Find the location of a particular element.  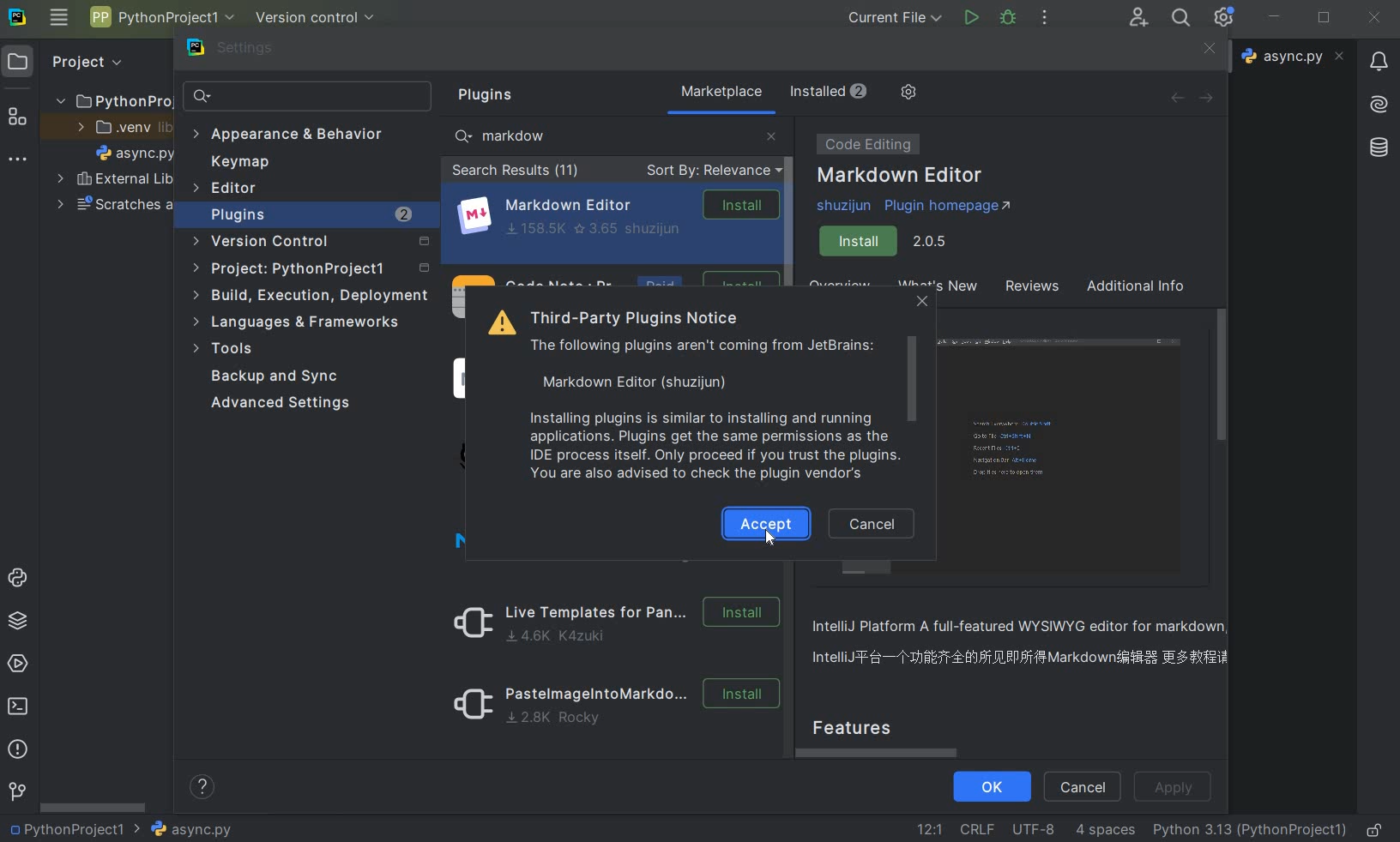

features is located at coordinates (868, 725).